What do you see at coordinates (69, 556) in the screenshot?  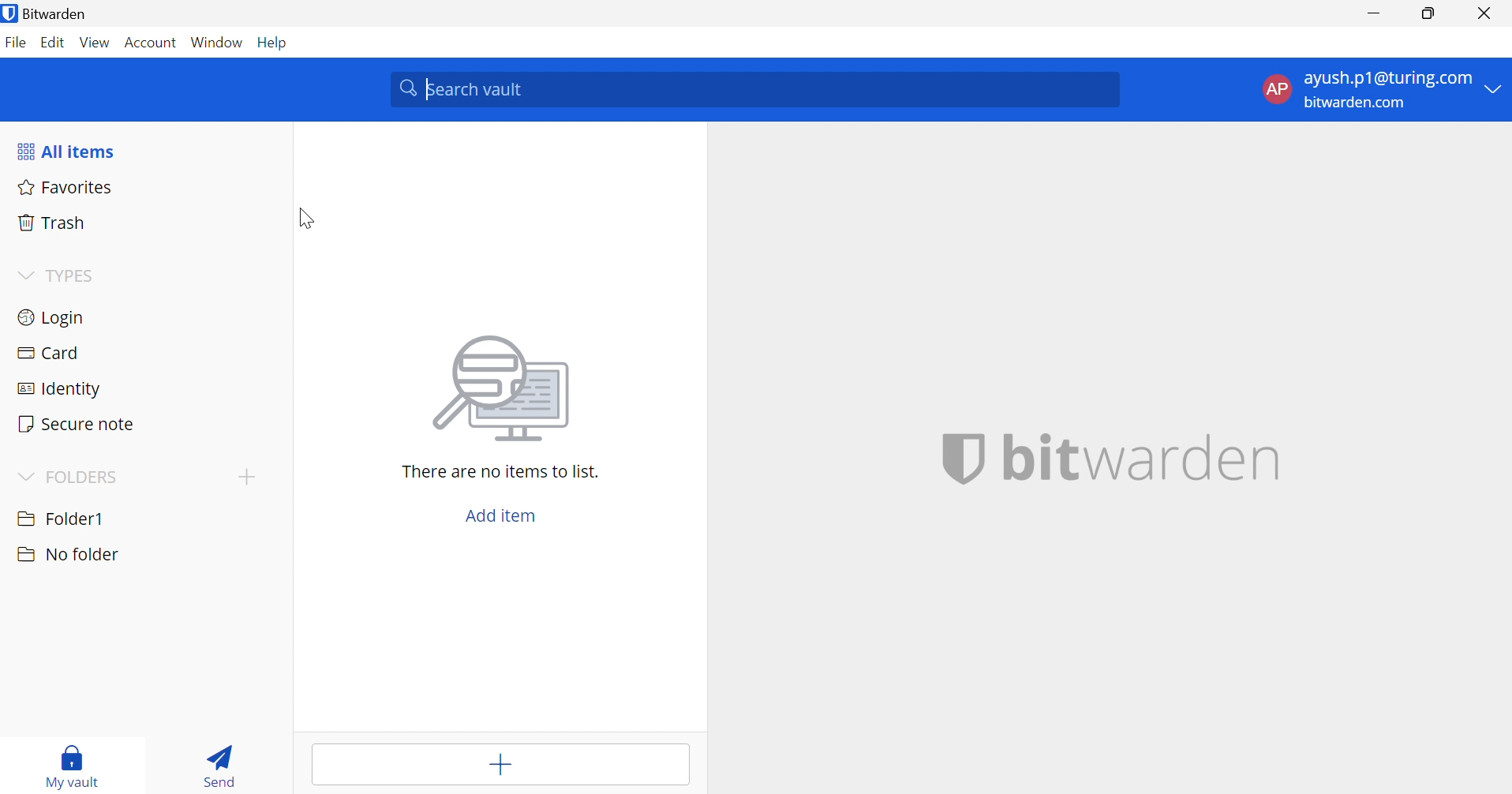 I see `No Folder` at bounding box center [69, 556].